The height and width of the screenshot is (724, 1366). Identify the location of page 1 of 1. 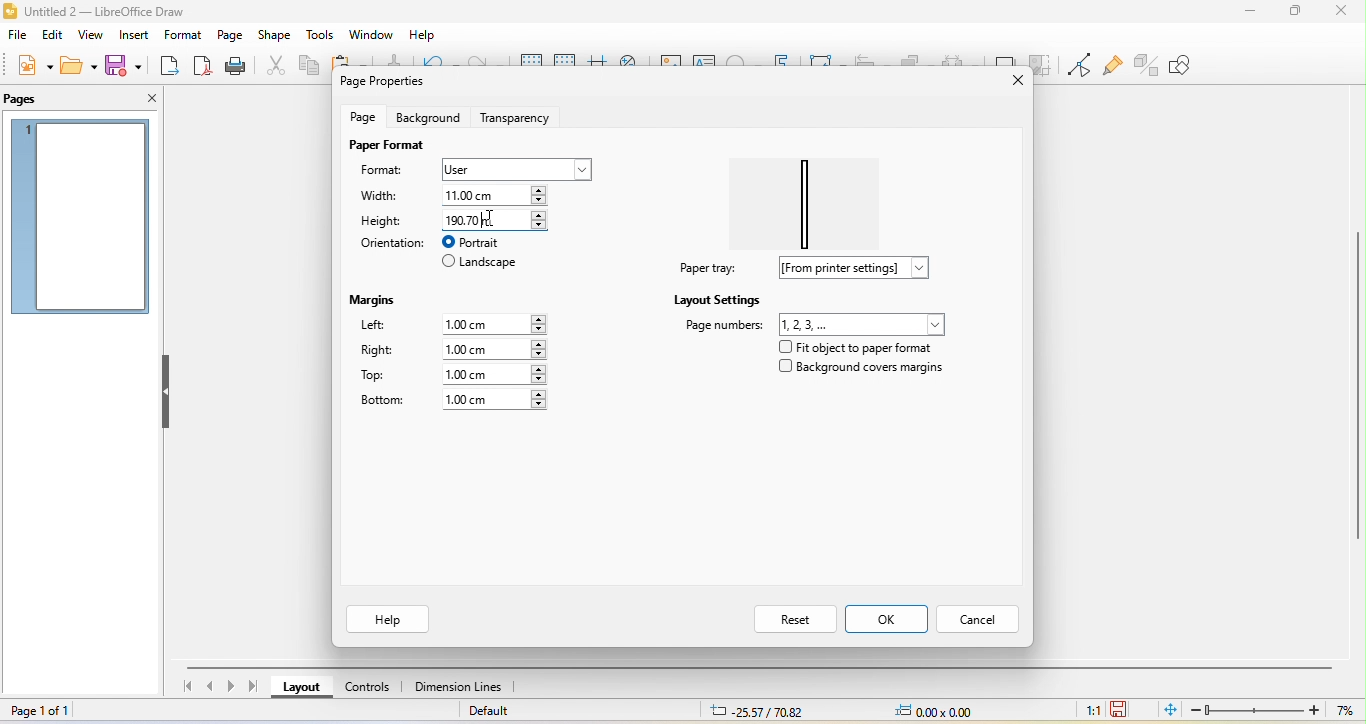
(50, 711).